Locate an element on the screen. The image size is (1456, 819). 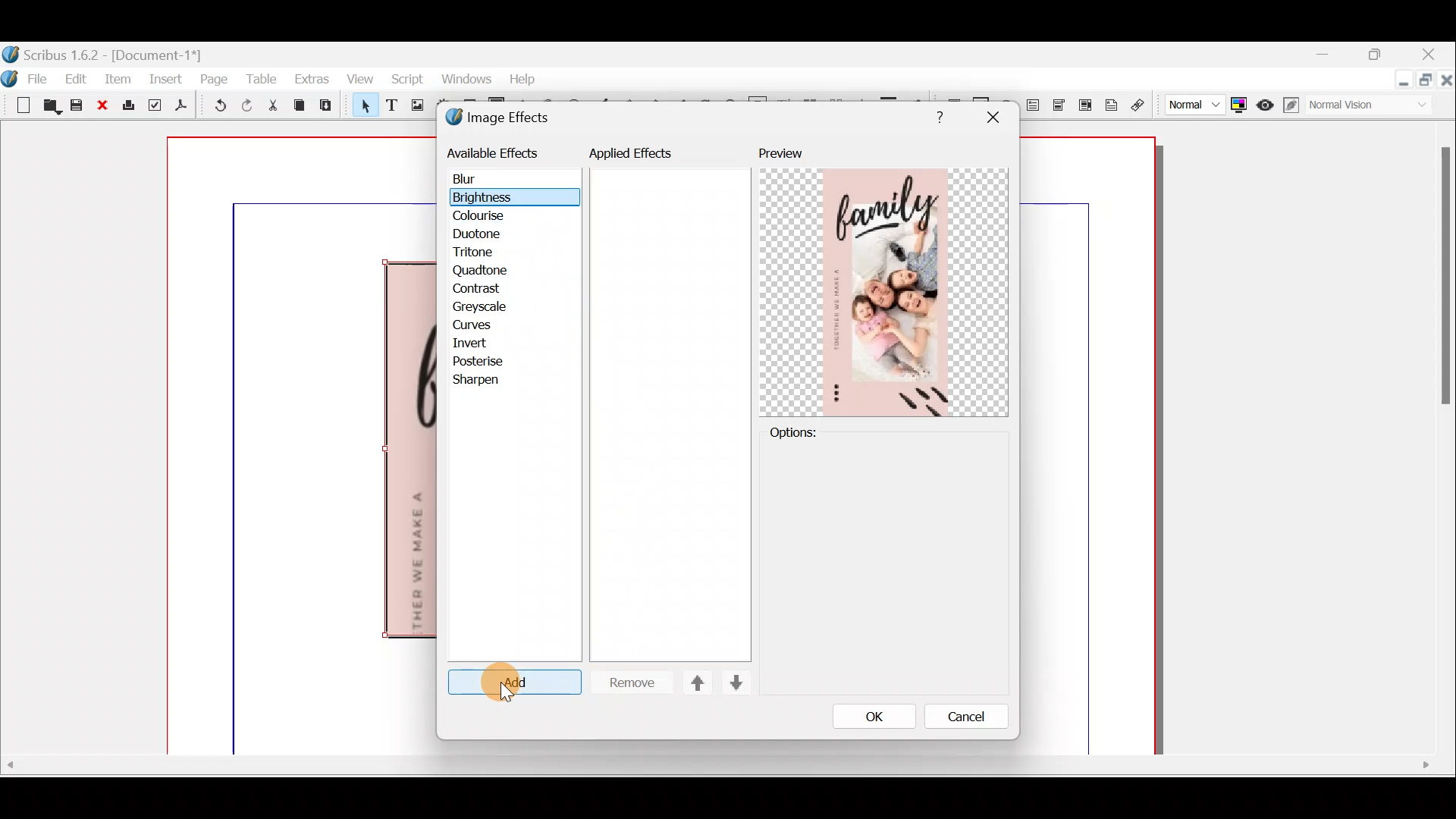
Options is located at coordinates (818, 433).